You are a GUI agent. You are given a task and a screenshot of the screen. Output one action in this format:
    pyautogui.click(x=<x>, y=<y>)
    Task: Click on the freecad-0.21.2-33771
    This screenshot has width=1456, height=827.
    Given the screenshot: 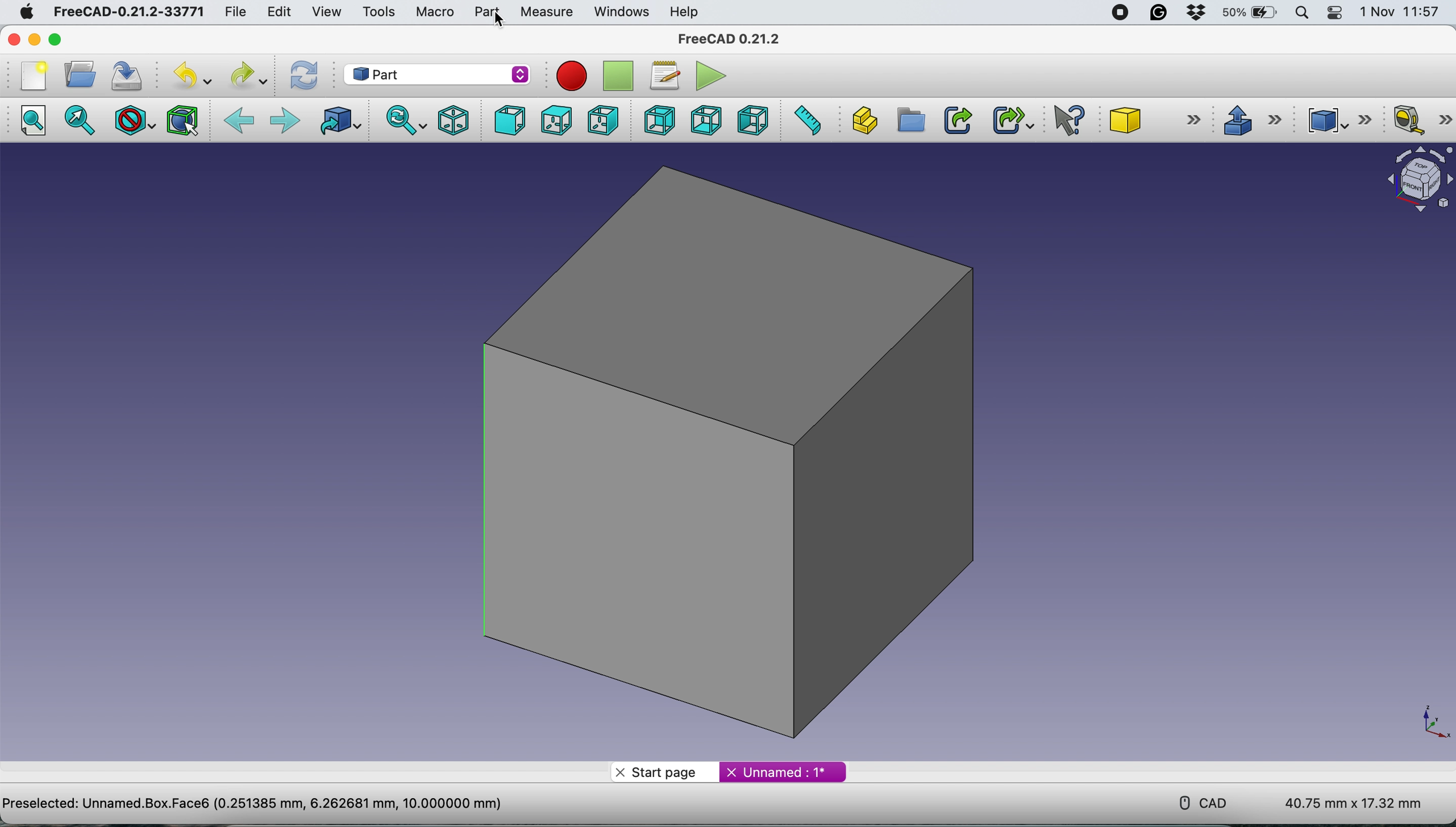 What is the action you would take?
    pyautogui.click(x=125, y=12)
    